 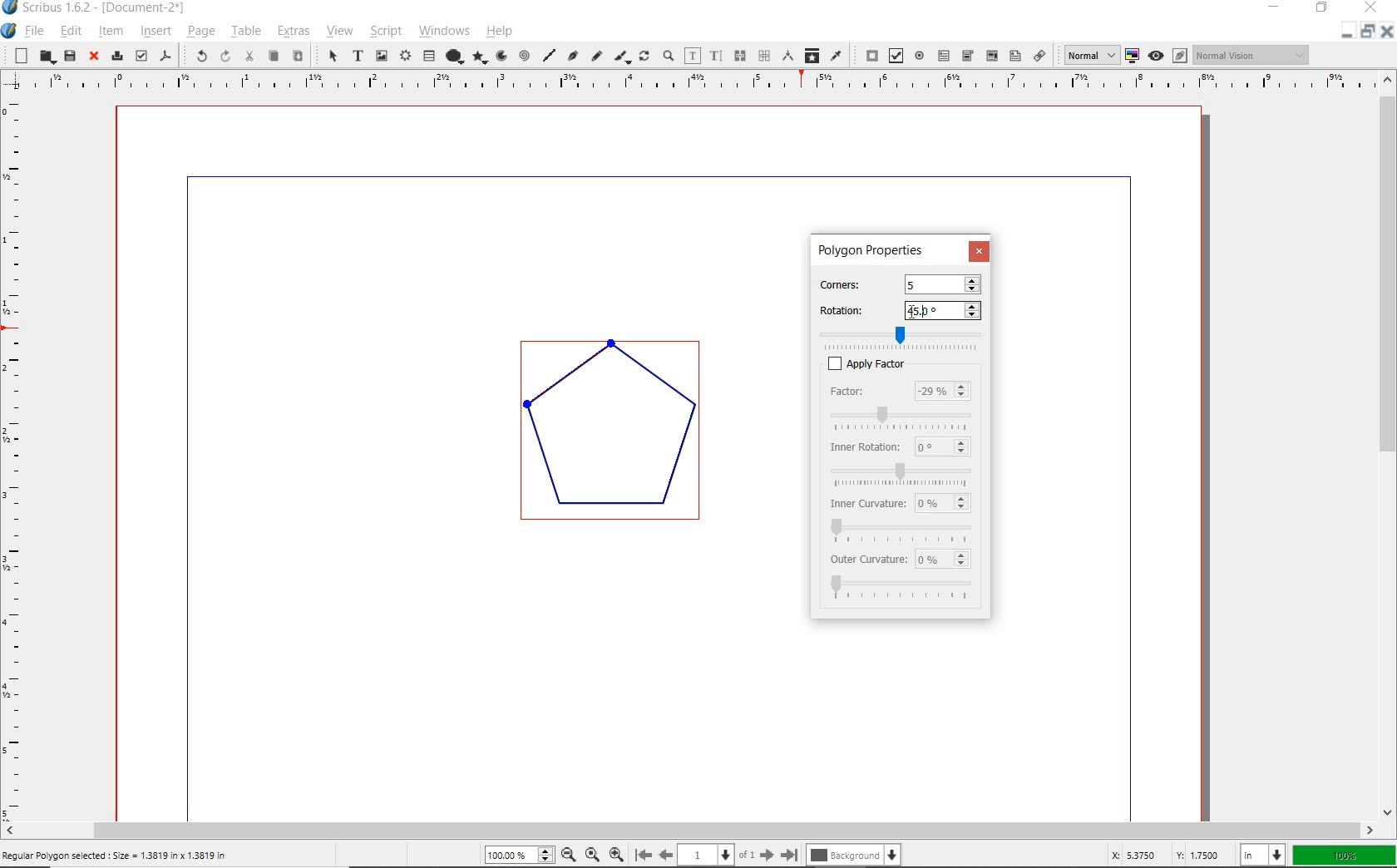 I want to click on pdf push button, so click(x=868, y=55).